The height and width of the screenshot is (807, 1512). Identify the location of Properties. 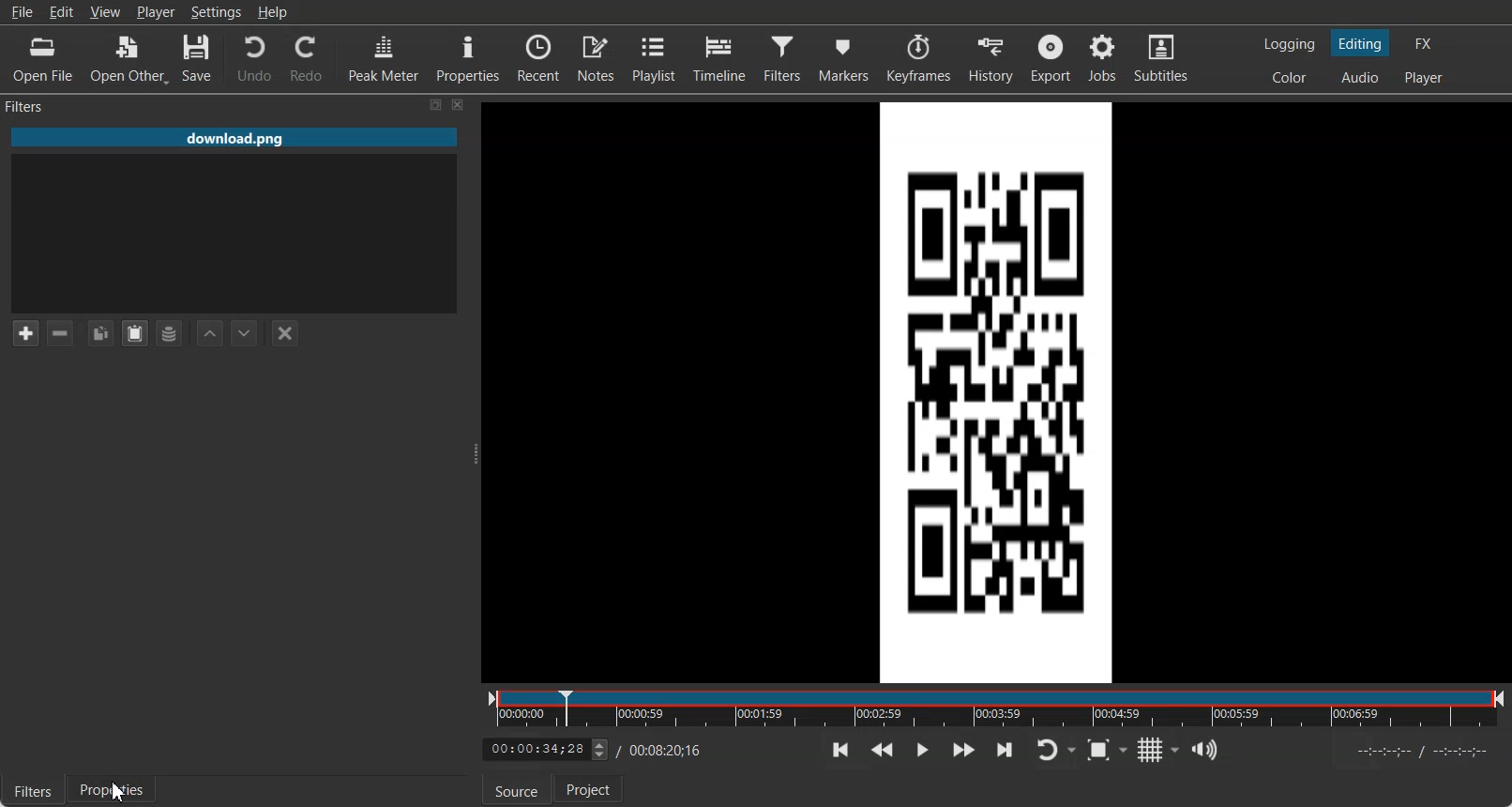
(466, 58).